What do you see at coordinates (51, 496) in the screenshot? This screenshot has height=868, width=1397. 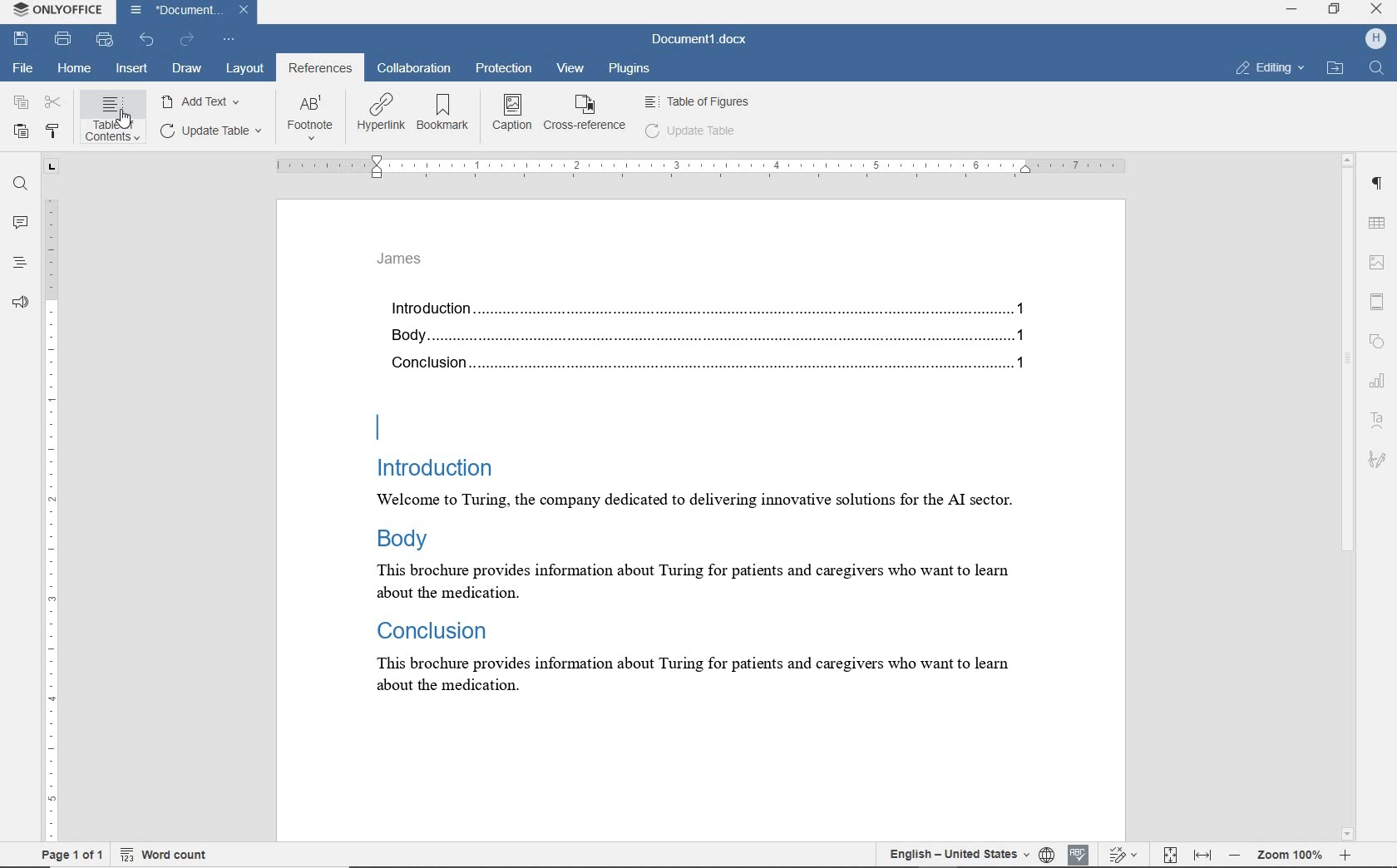 I see `ruler` at bounding box center [51, 496].